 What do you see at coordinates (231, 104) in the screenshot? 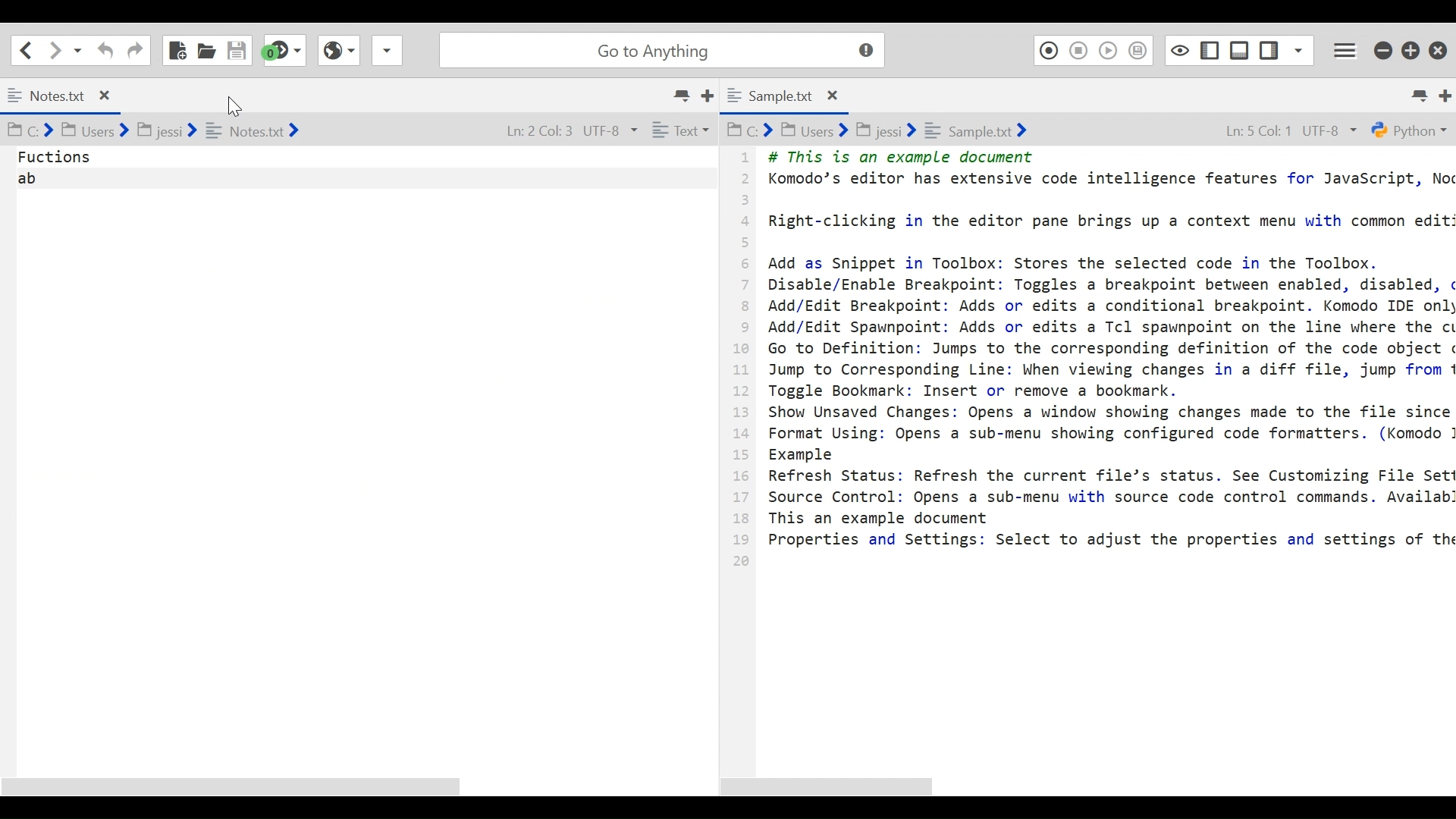
I see `Cursor` at bounding box center [231, 104].